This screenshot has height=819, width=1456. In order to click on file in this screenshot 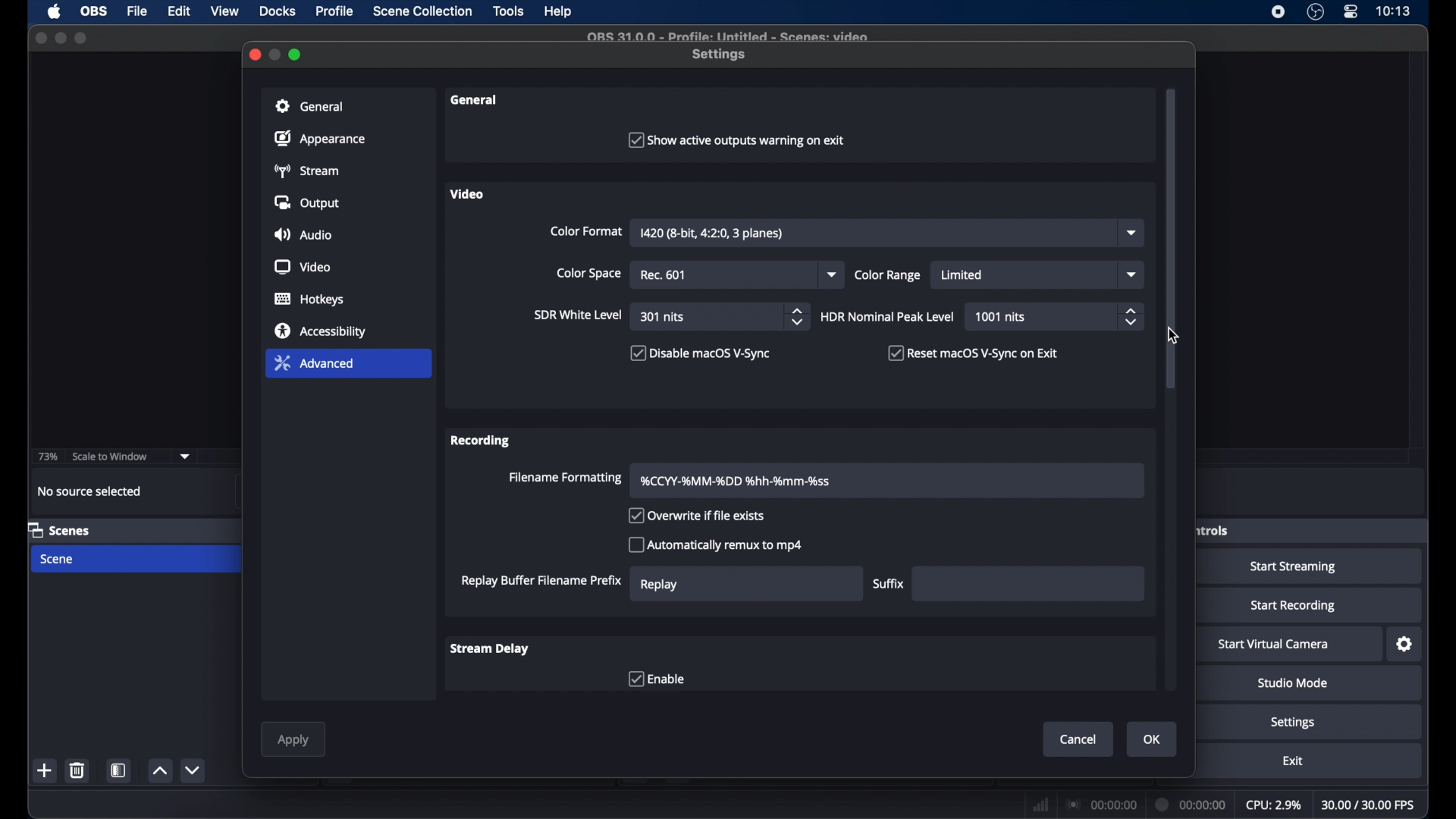, I will do `click(137, 12)`.